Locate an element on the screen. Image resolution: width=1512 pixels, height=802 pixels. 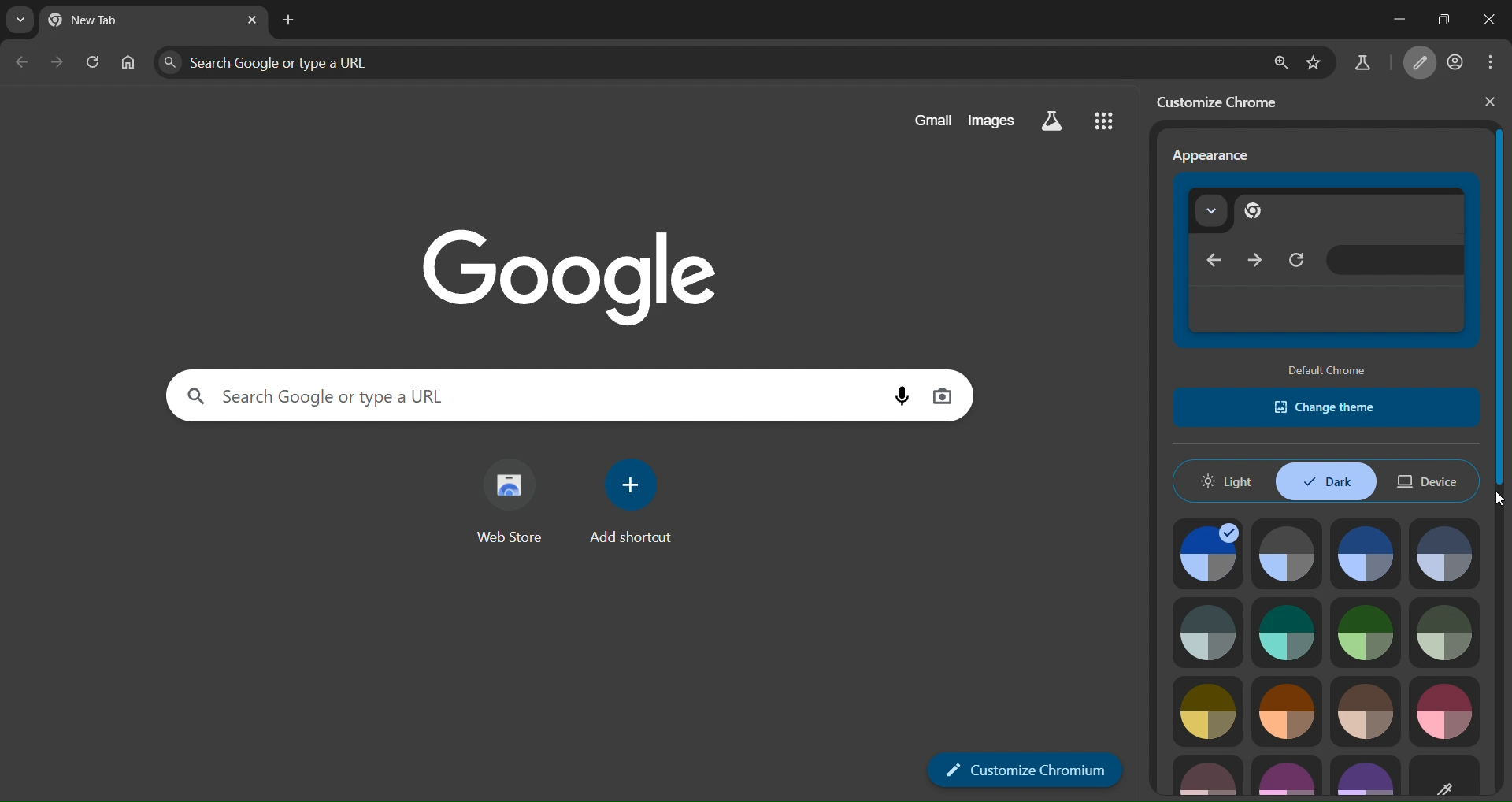
customize chrome is located at coordinates (1227, 100).